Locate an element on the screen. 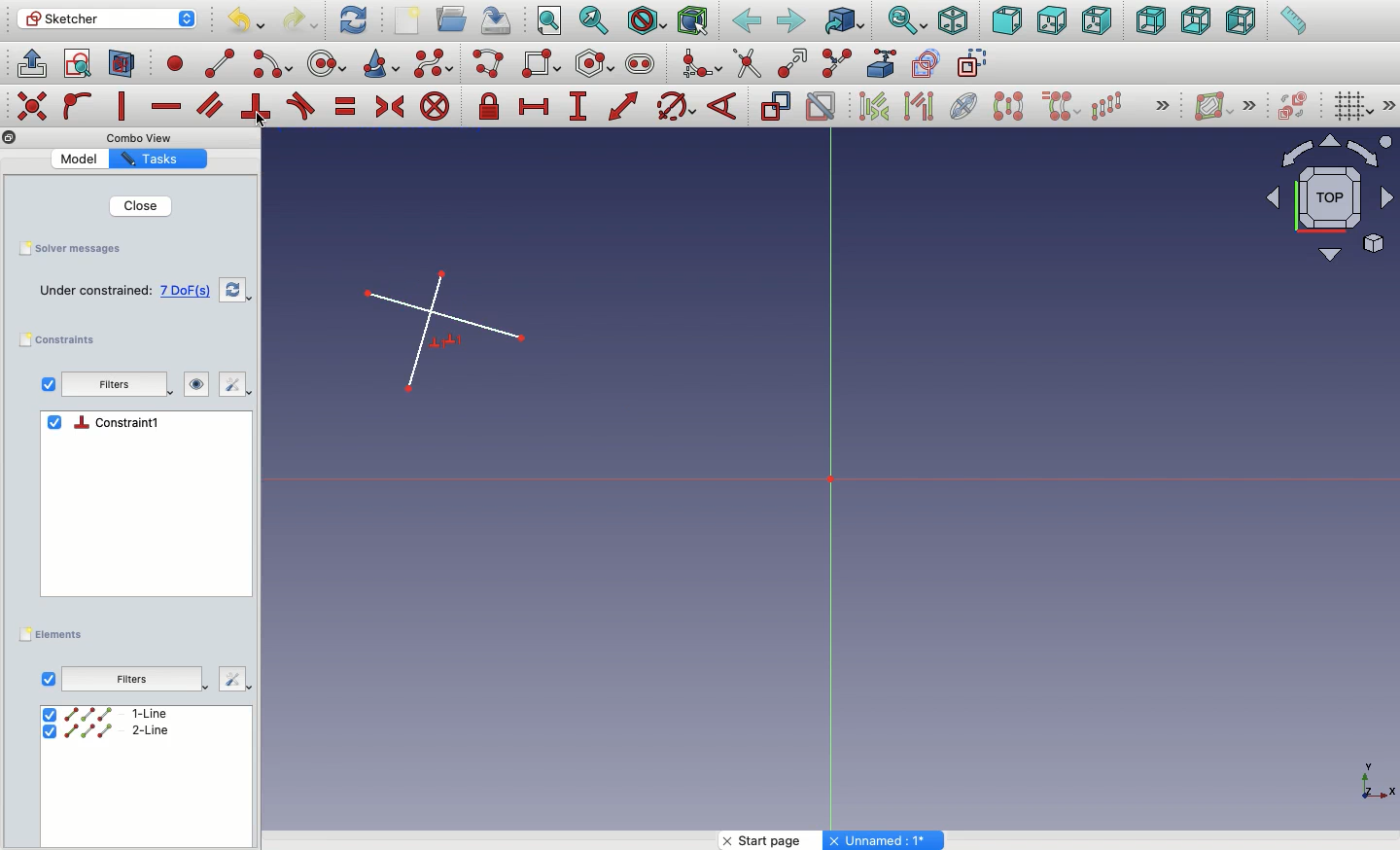 The height and width of the screenshot is (850, 1400). Create fillet is located at coordinates (700, 64).